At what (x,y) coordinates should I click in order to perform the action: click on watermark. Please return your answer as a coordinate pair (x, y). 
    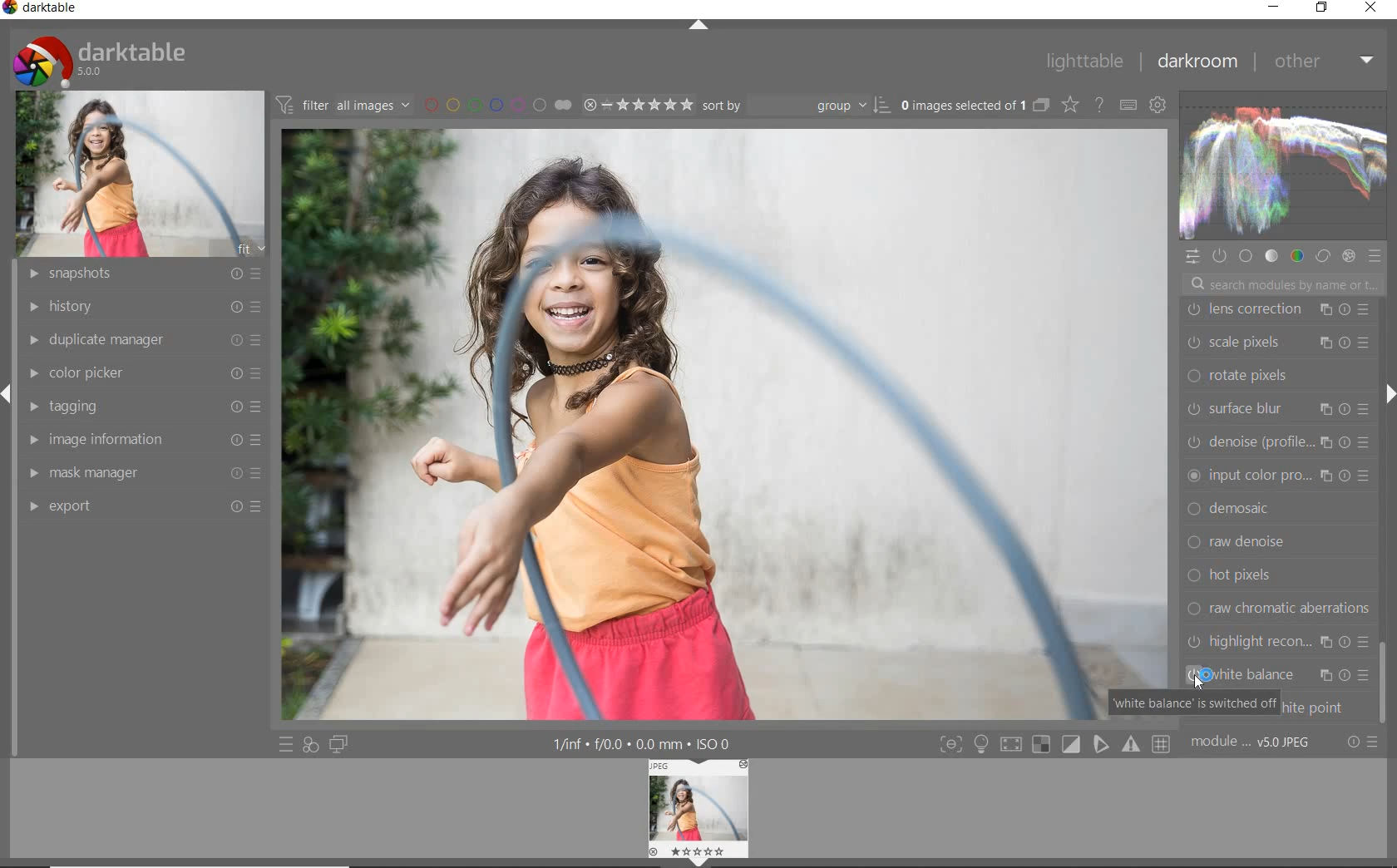
    Looking at the image, I should click on (1279, 313).